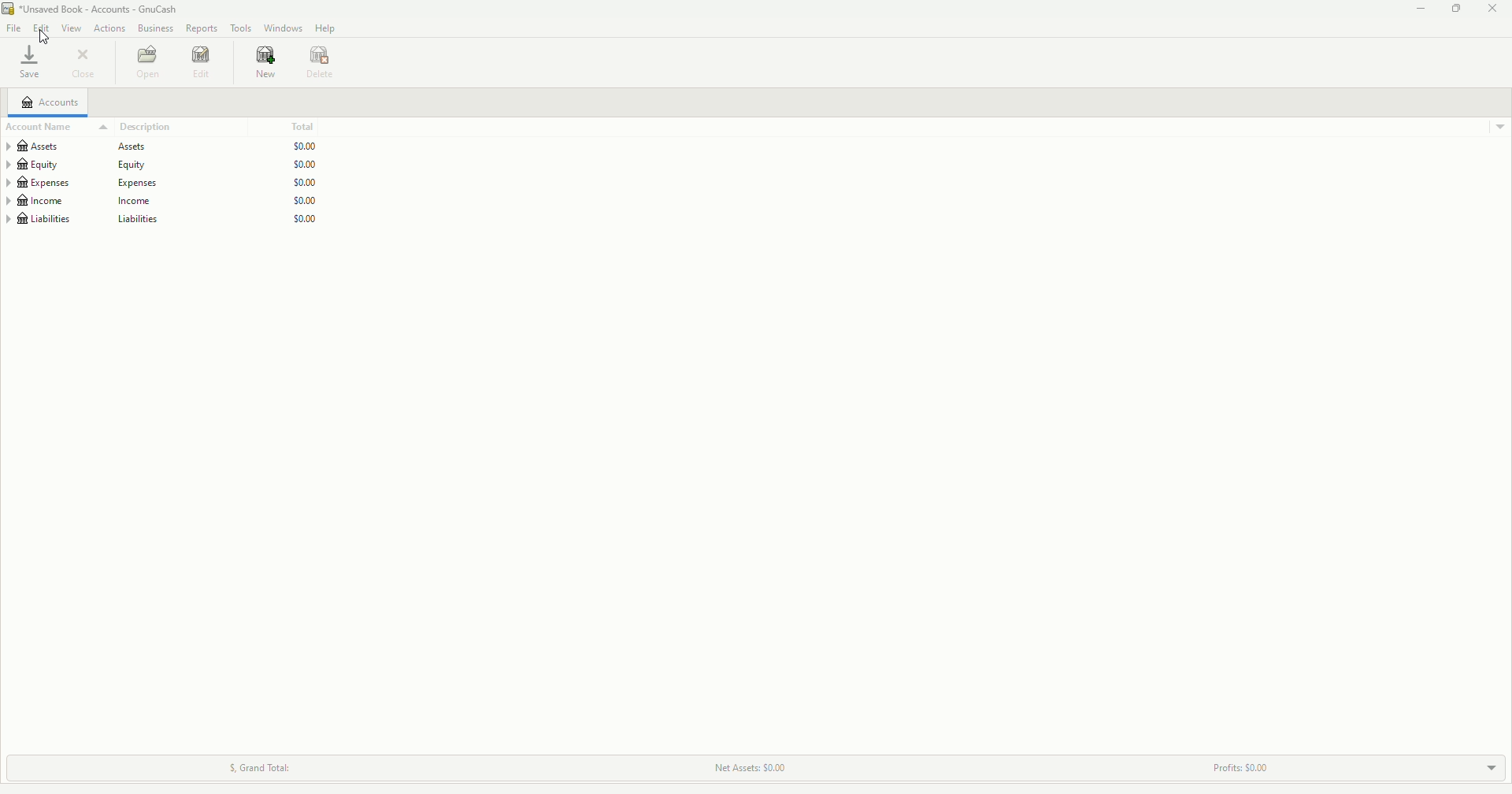  I want to click on Help, so click(327, 28).